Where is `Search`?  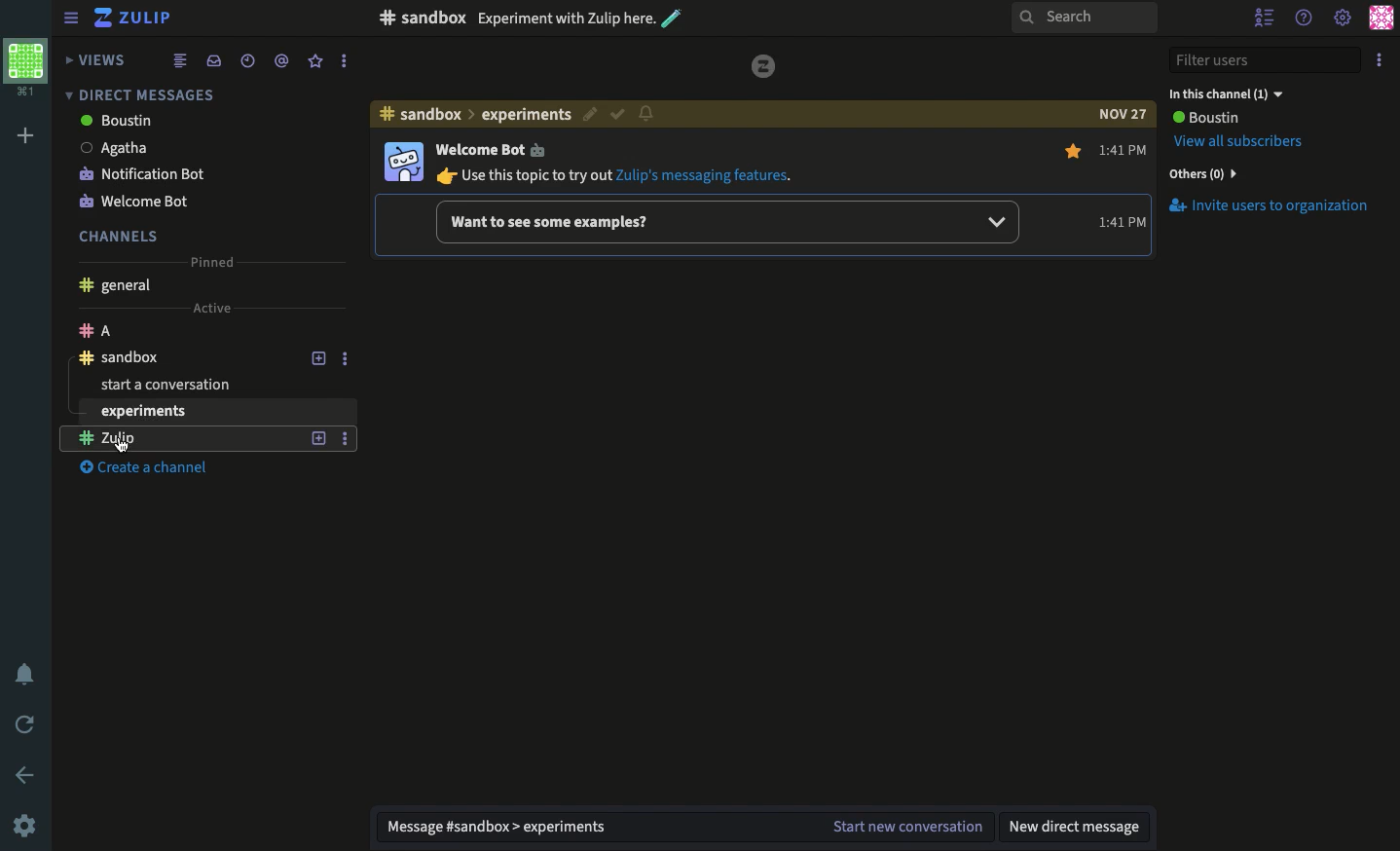 Search is located at coordinates (1083, 18).